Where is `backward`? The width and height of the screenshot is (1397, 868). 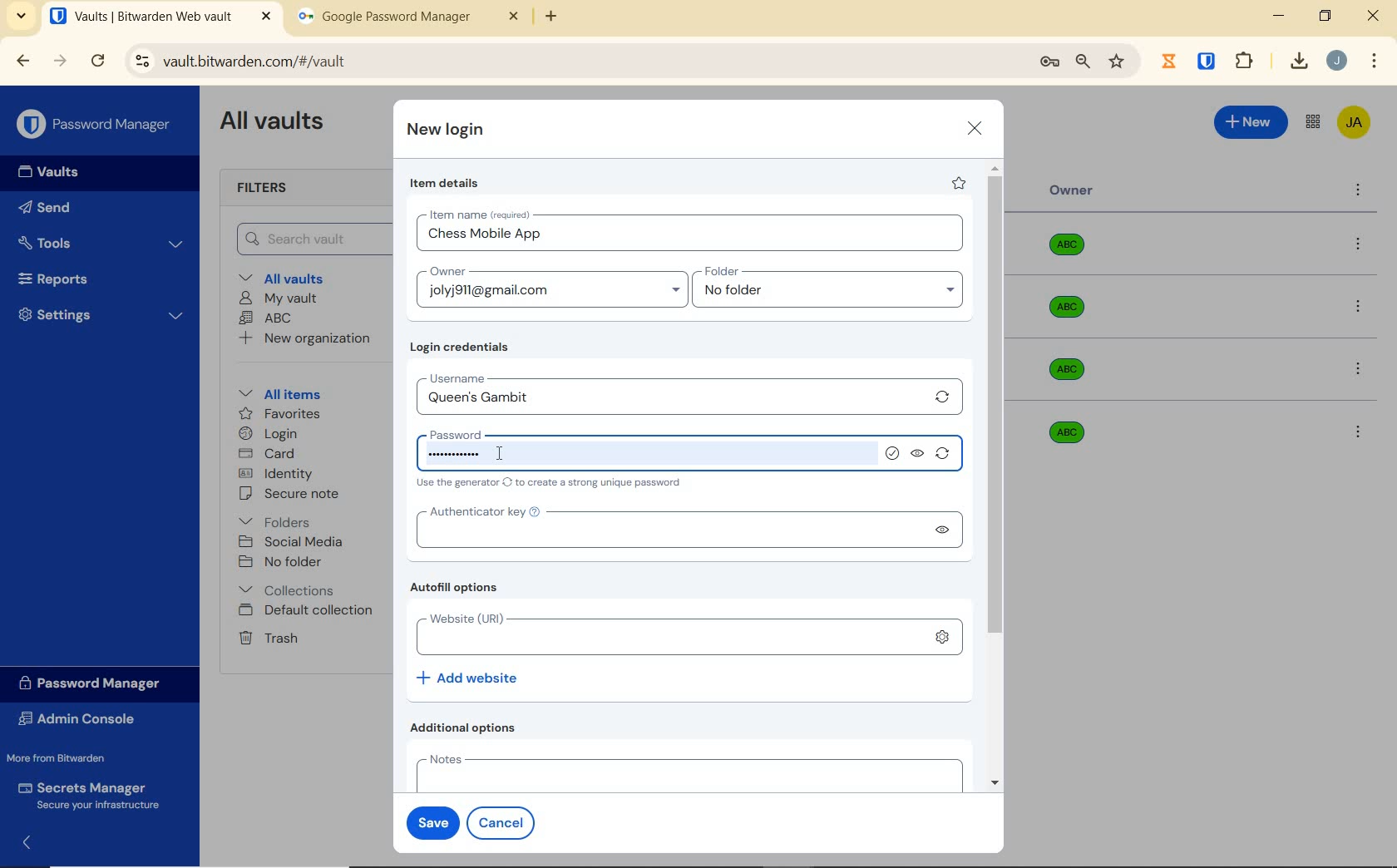 backward is located at coordinates (22, 61).